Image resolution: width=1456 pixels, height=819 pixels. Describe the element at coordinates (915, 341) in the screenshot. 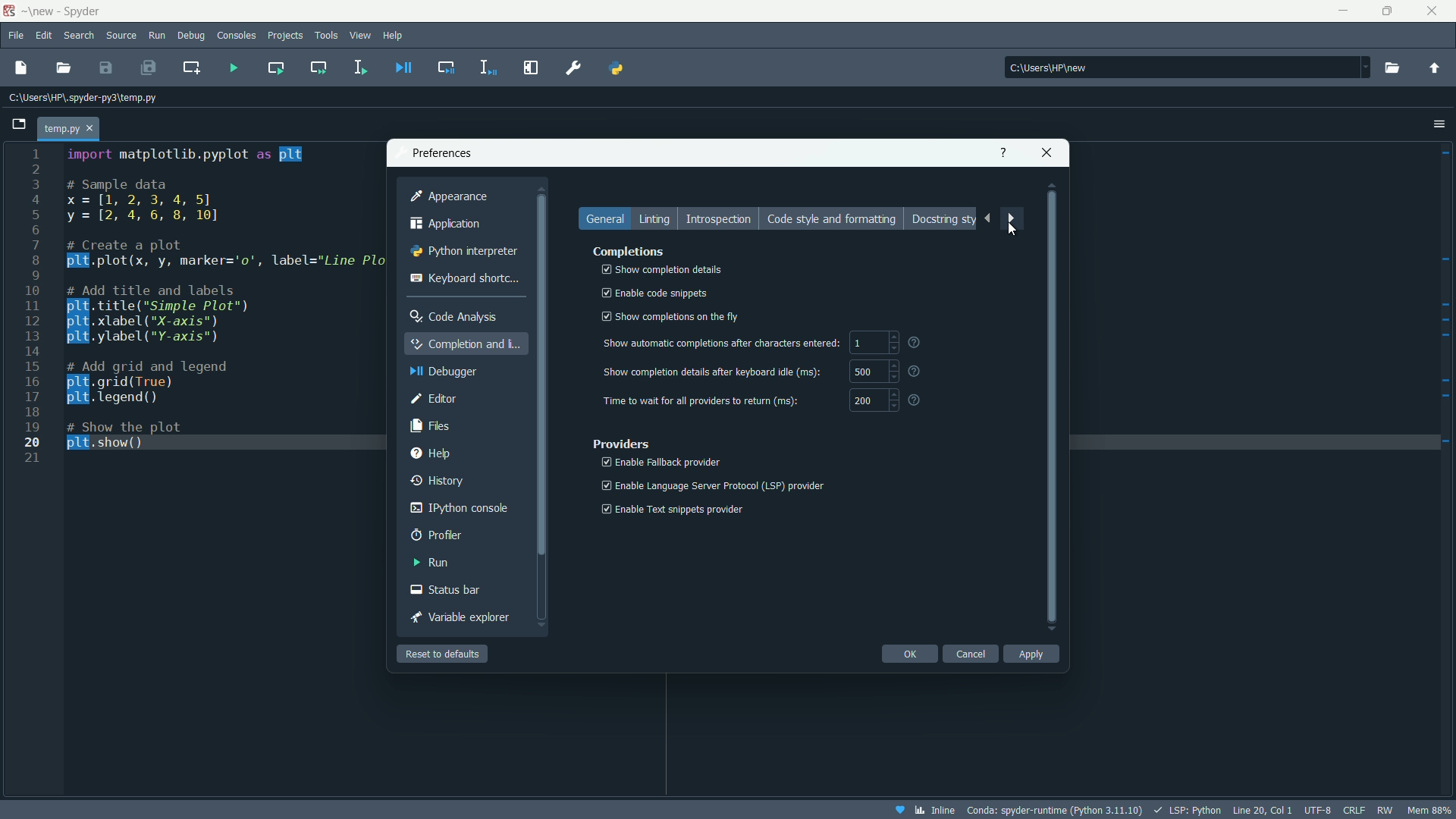

I see `question mark` at that location.